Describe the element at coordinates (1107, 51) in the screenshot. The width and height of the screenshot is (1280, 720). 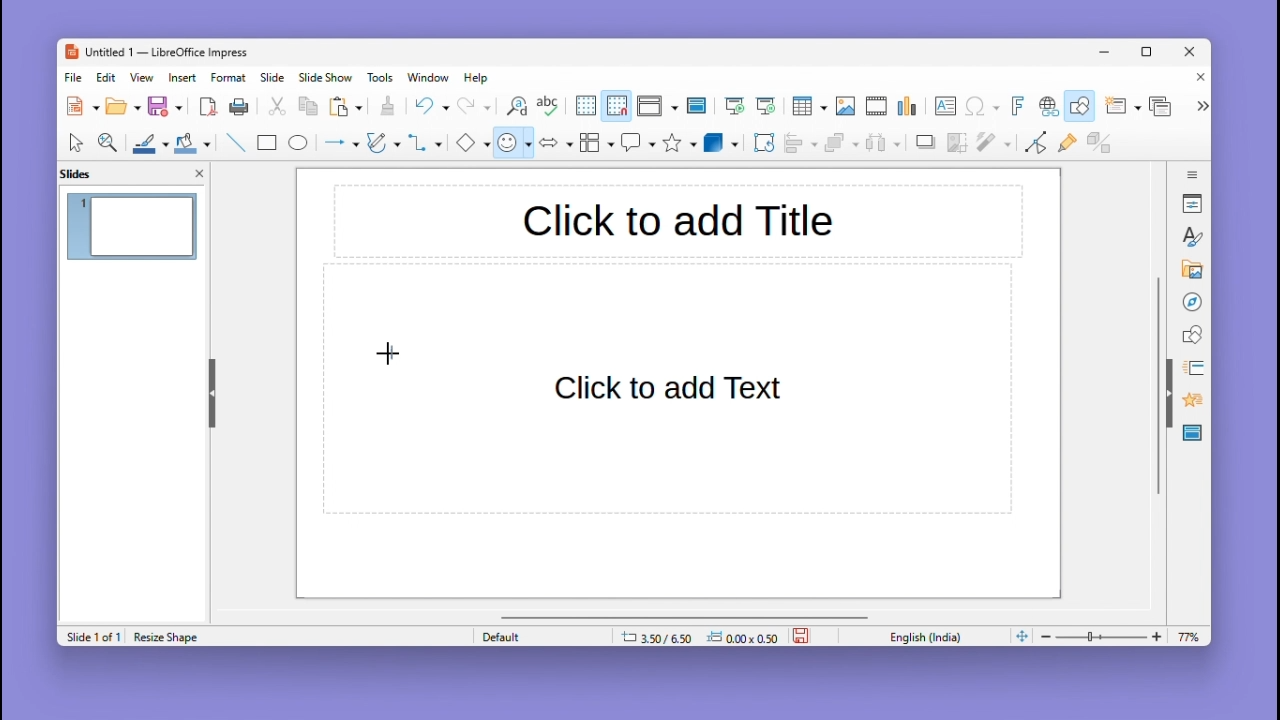
I see `Minimise` at that location.